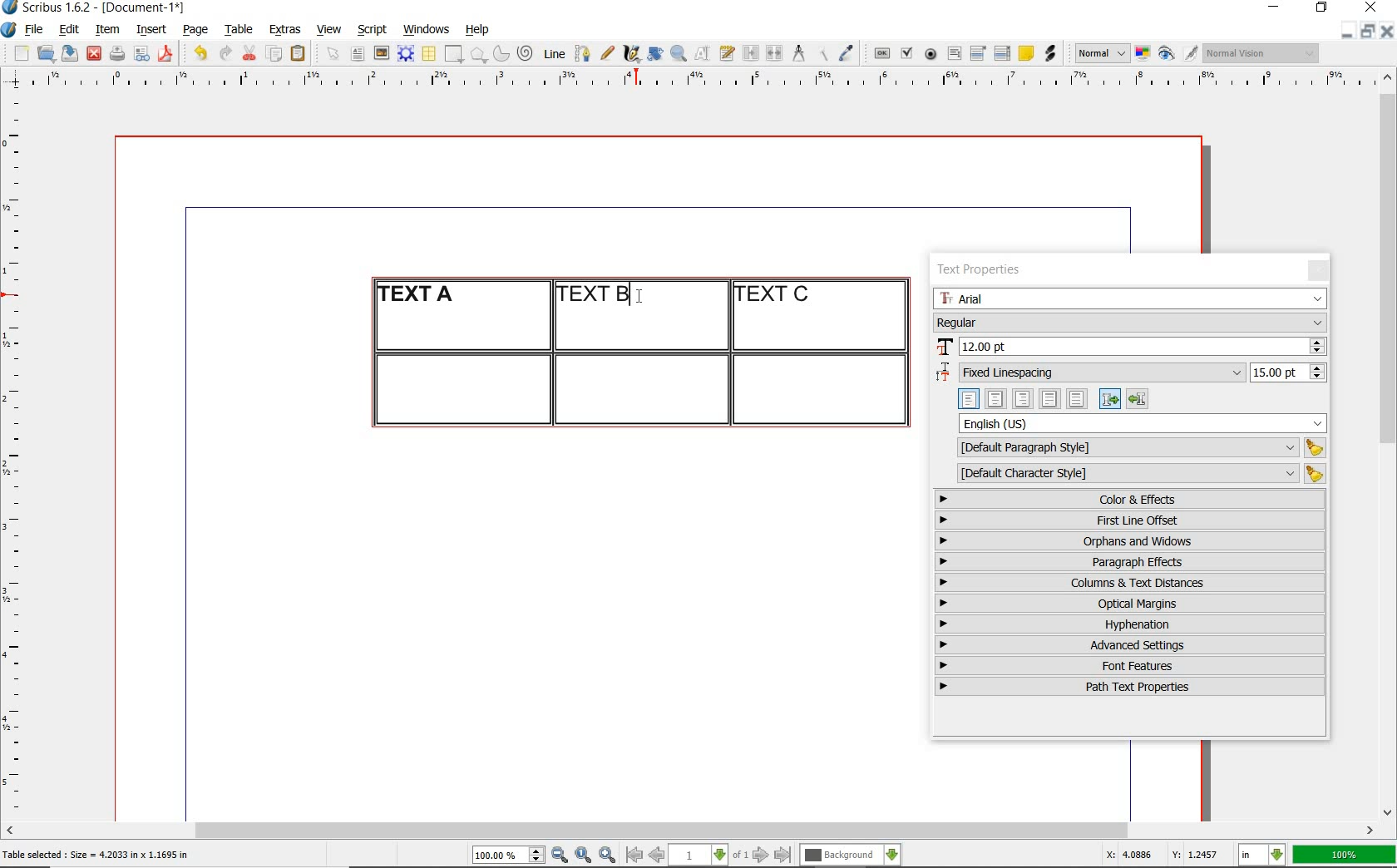  What do you see at coordinates (1130, 348) in the screenshot?
I see `font size` at bounding box center [1130, 348].